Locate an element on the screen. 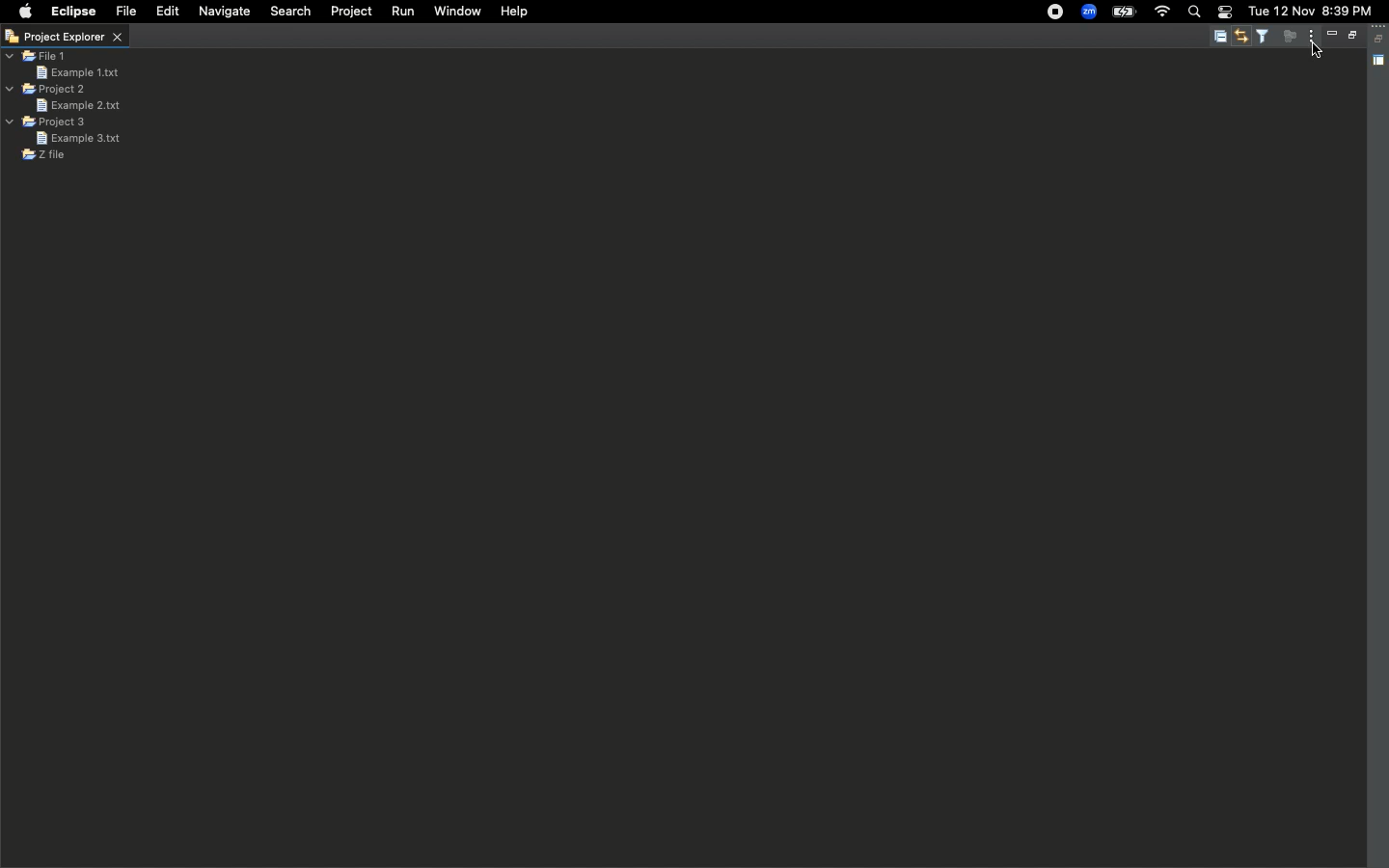 The height and width of the screenshot is (868, 1389). Edit is located at coordinates (165, 11).